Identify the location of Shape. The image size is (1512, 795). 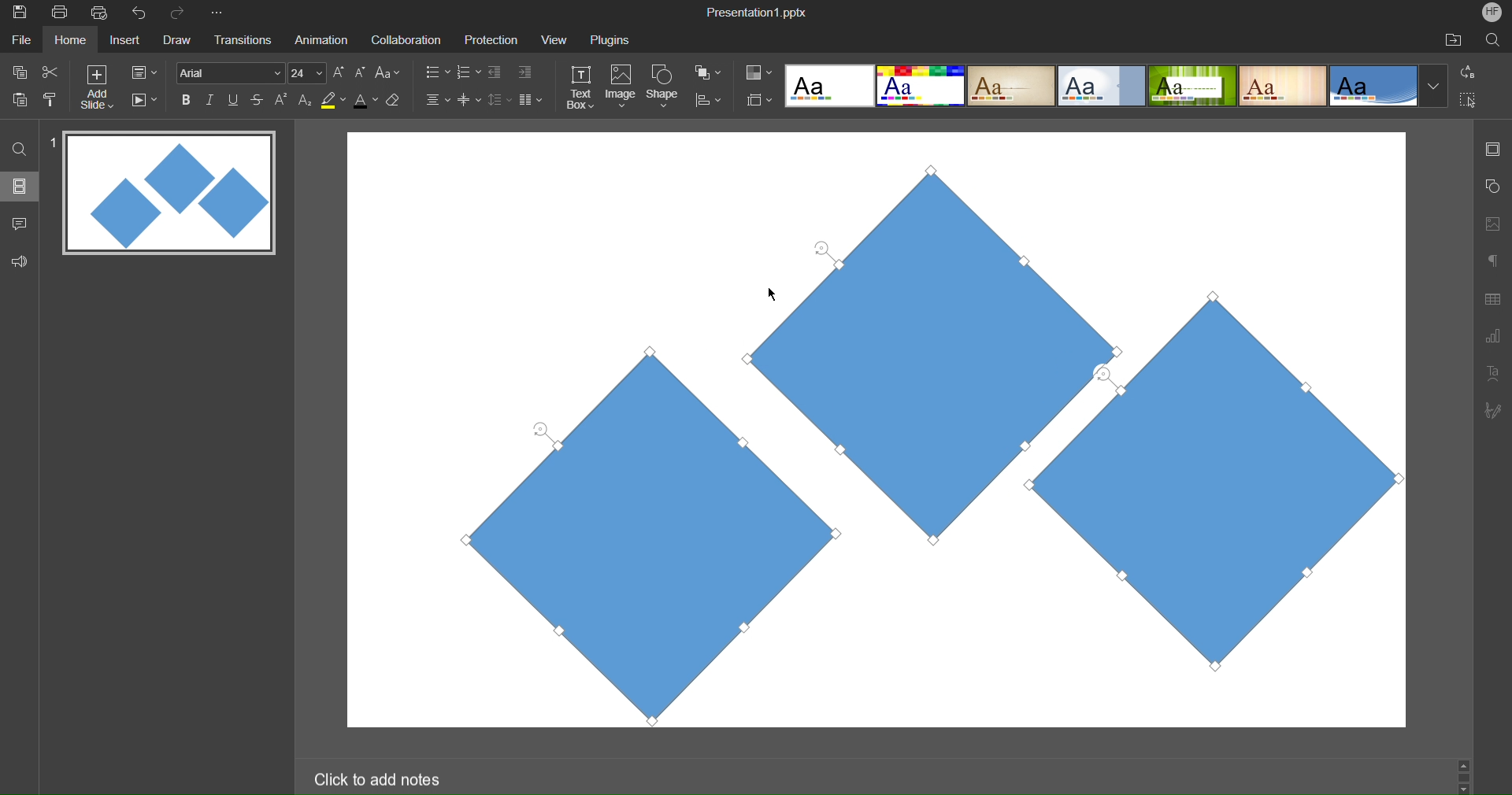
(664, 88).